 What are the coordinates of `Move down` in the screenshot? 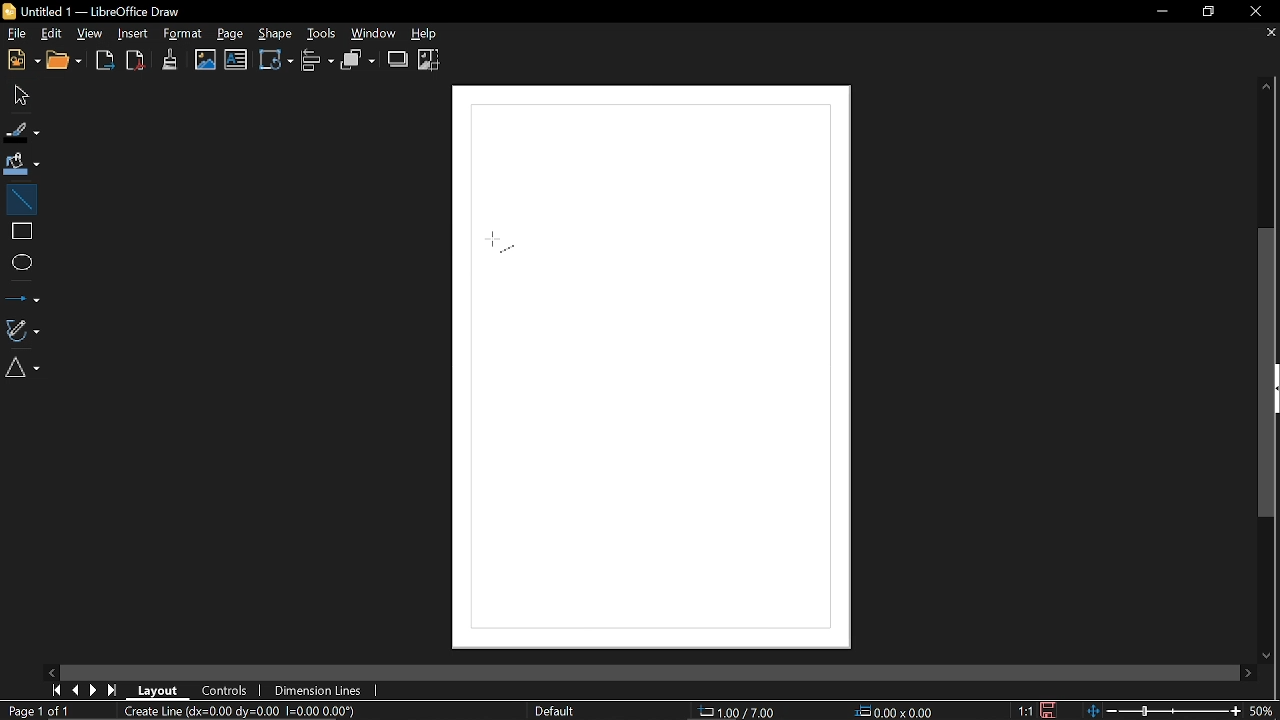 It's located at (1262, 656).